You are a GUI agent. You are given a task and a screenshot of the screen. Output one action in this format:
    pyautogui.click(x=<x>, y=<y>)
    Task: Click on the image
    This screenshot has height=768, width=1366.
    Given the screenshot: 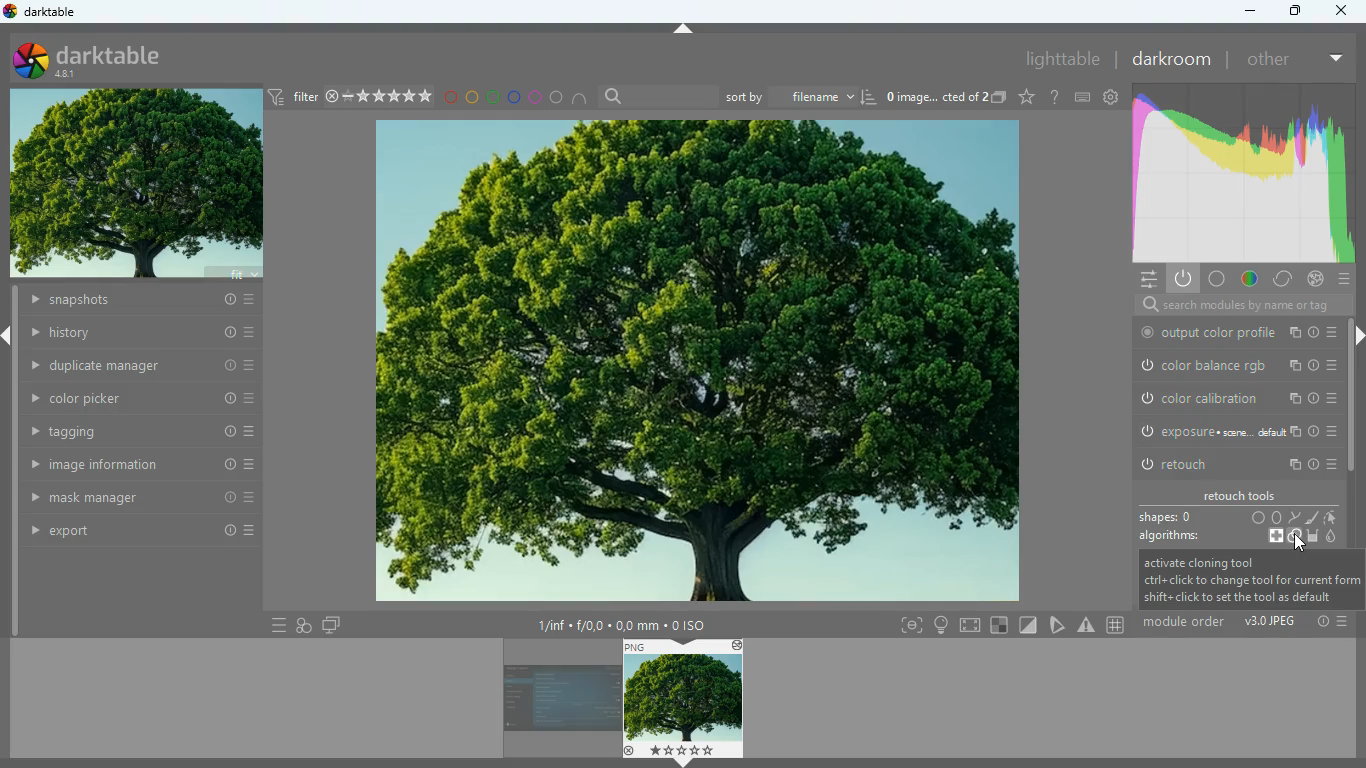 What is the action you would take?
    pyautogui.click(x=696, y=363)
    